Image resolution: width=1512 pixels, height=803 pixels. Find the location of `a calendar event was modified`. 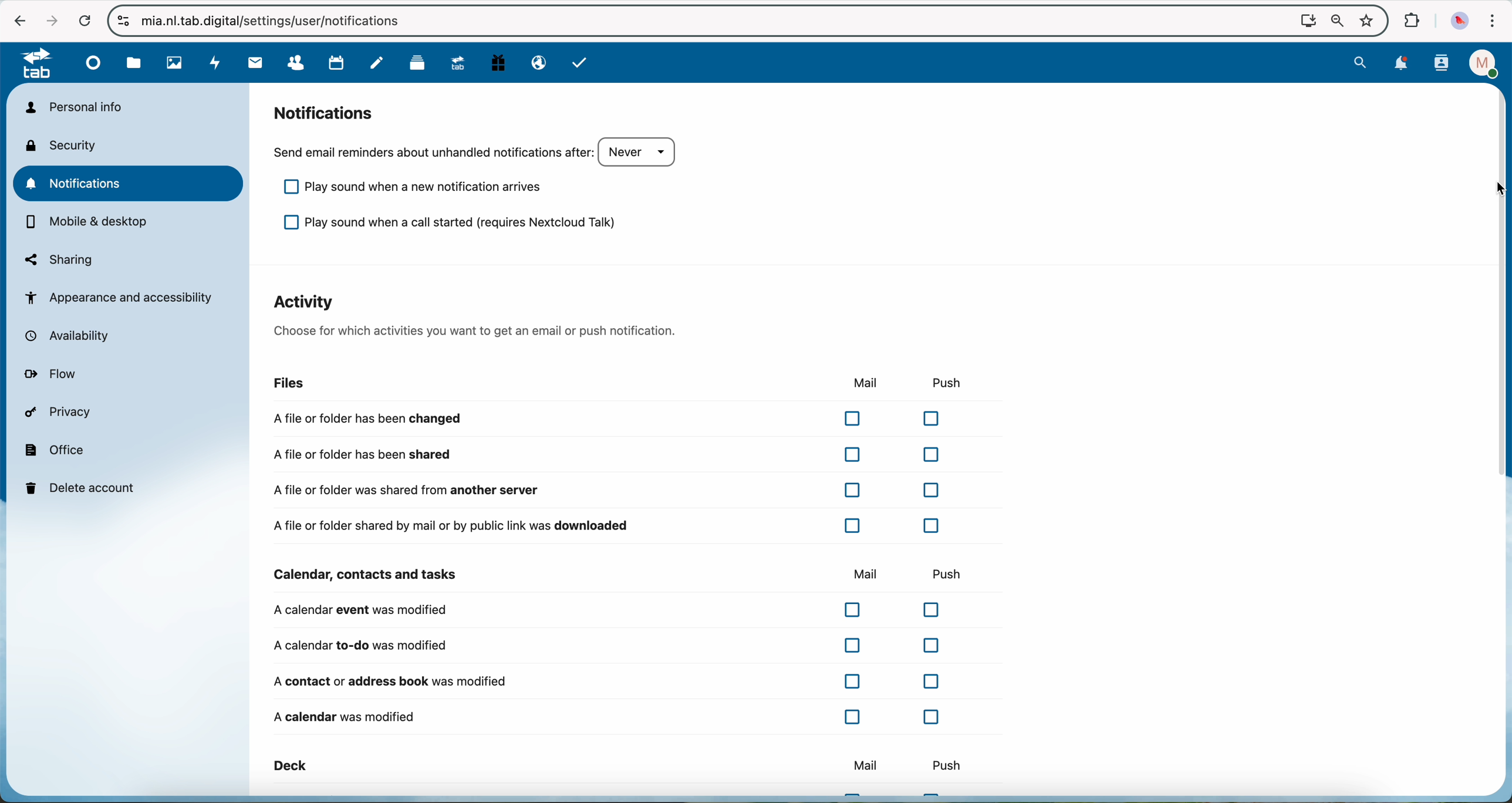

a calendar event was modified is located at coordinates (610, 610).